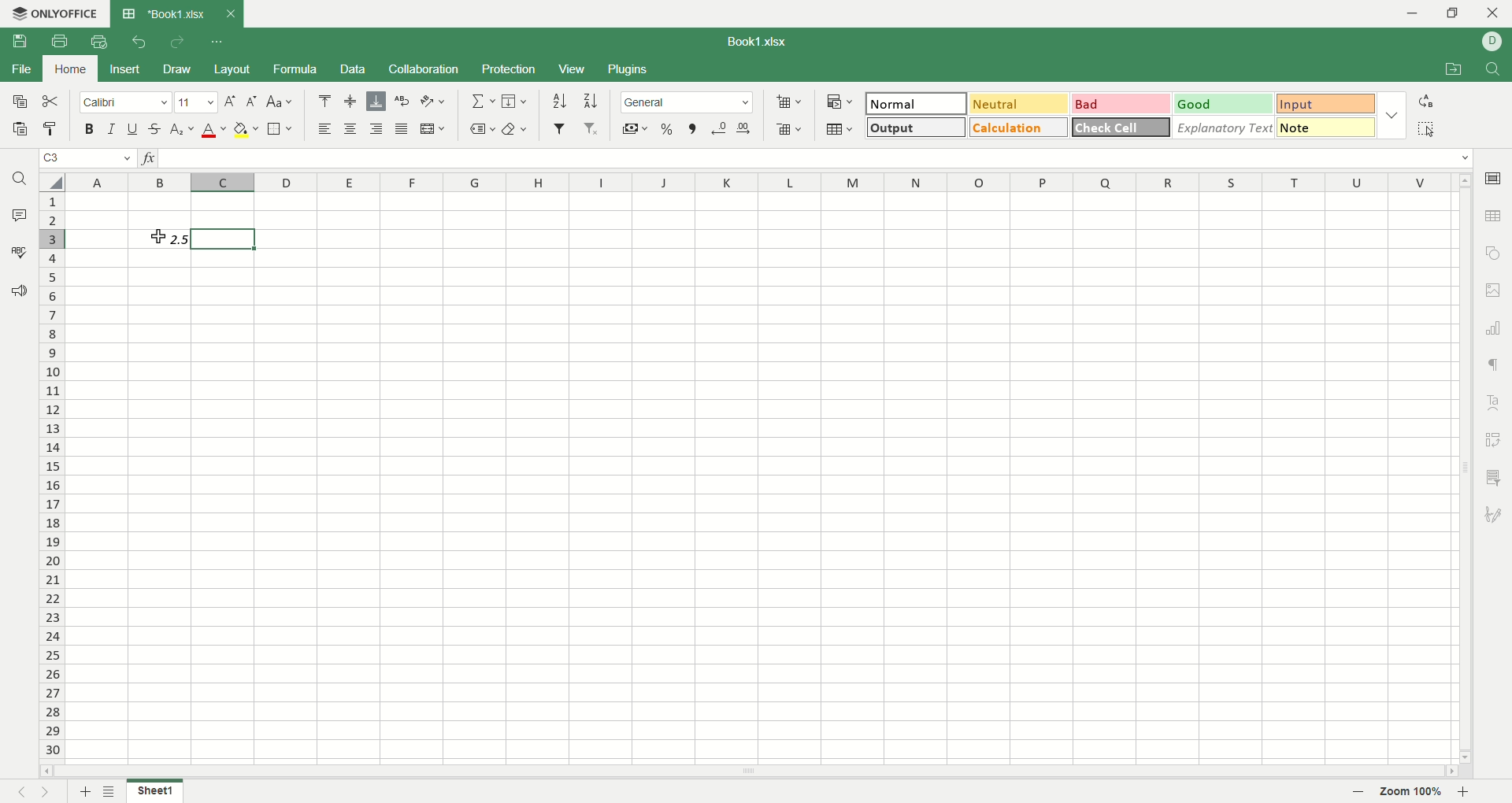  Describe the element at coordinates (88, 158) in the screenshot. I see `cell name` at that location.